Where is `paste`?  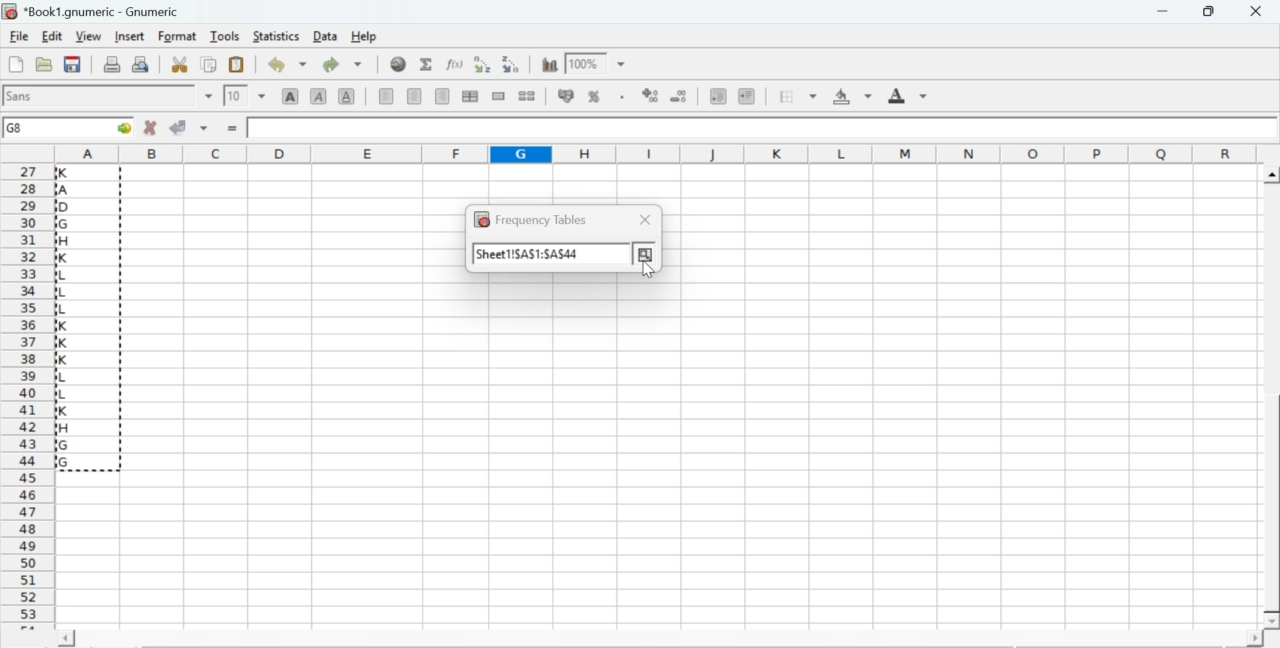
paste is located at coordinates (238, 65).